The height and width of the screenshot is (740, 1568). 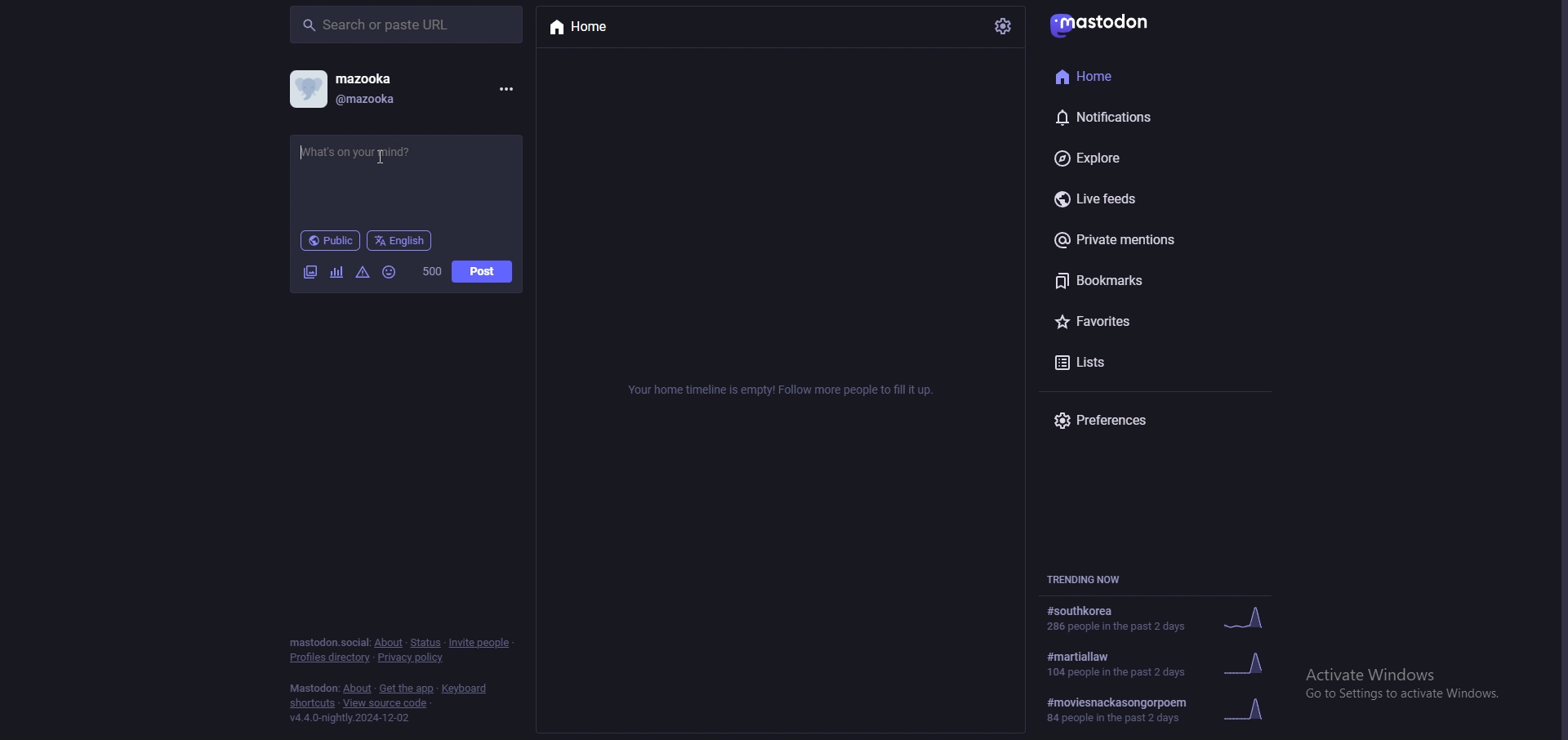 What do you see at coordinates (330, 658) in the screenshot?
I see `profiles directory` at bounding box center [330, 658].